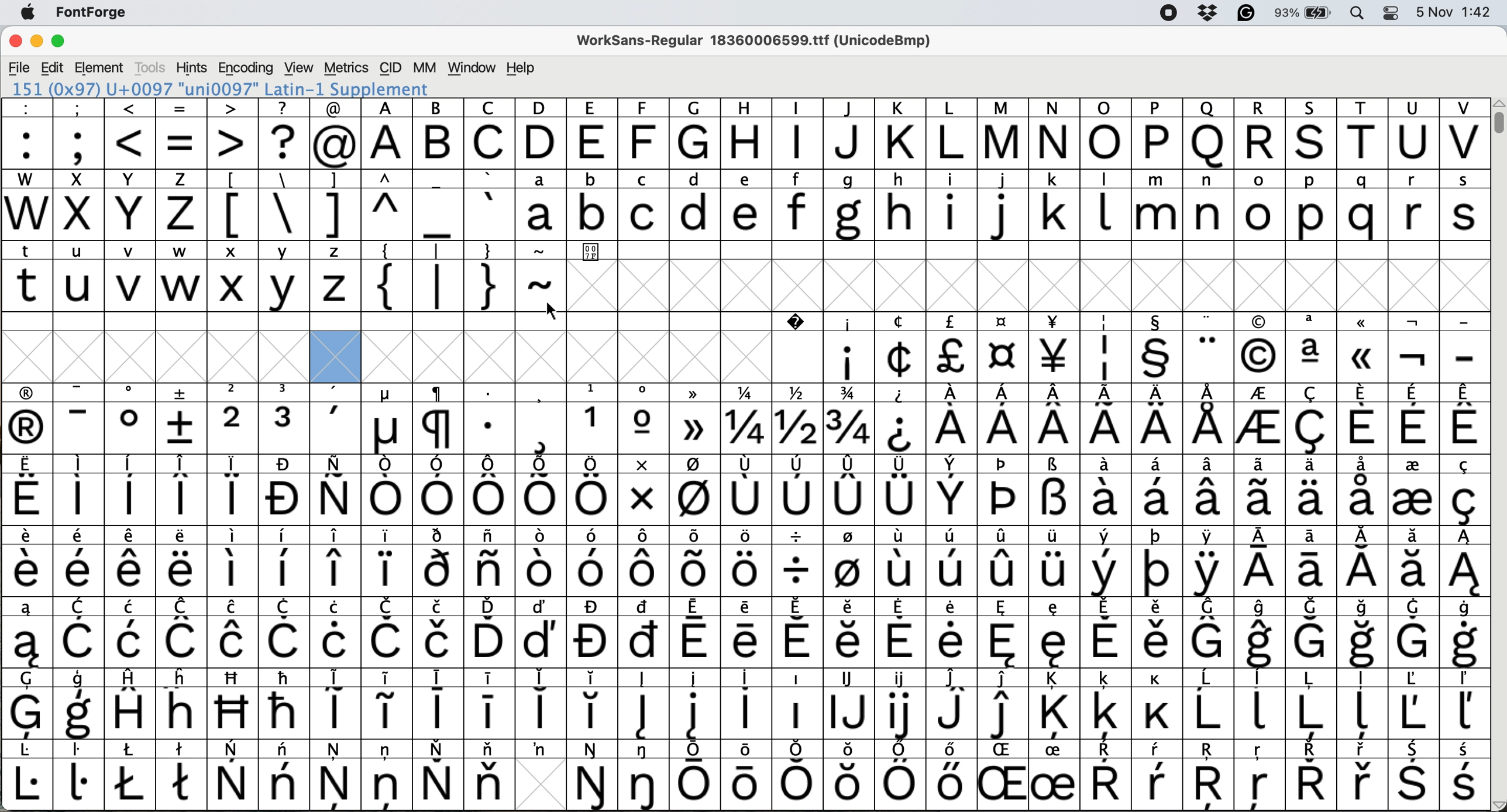  What do you see at coordinates (1054, 562) in the screenshot?
I see `symbol` at bounding box center [1054, 562].